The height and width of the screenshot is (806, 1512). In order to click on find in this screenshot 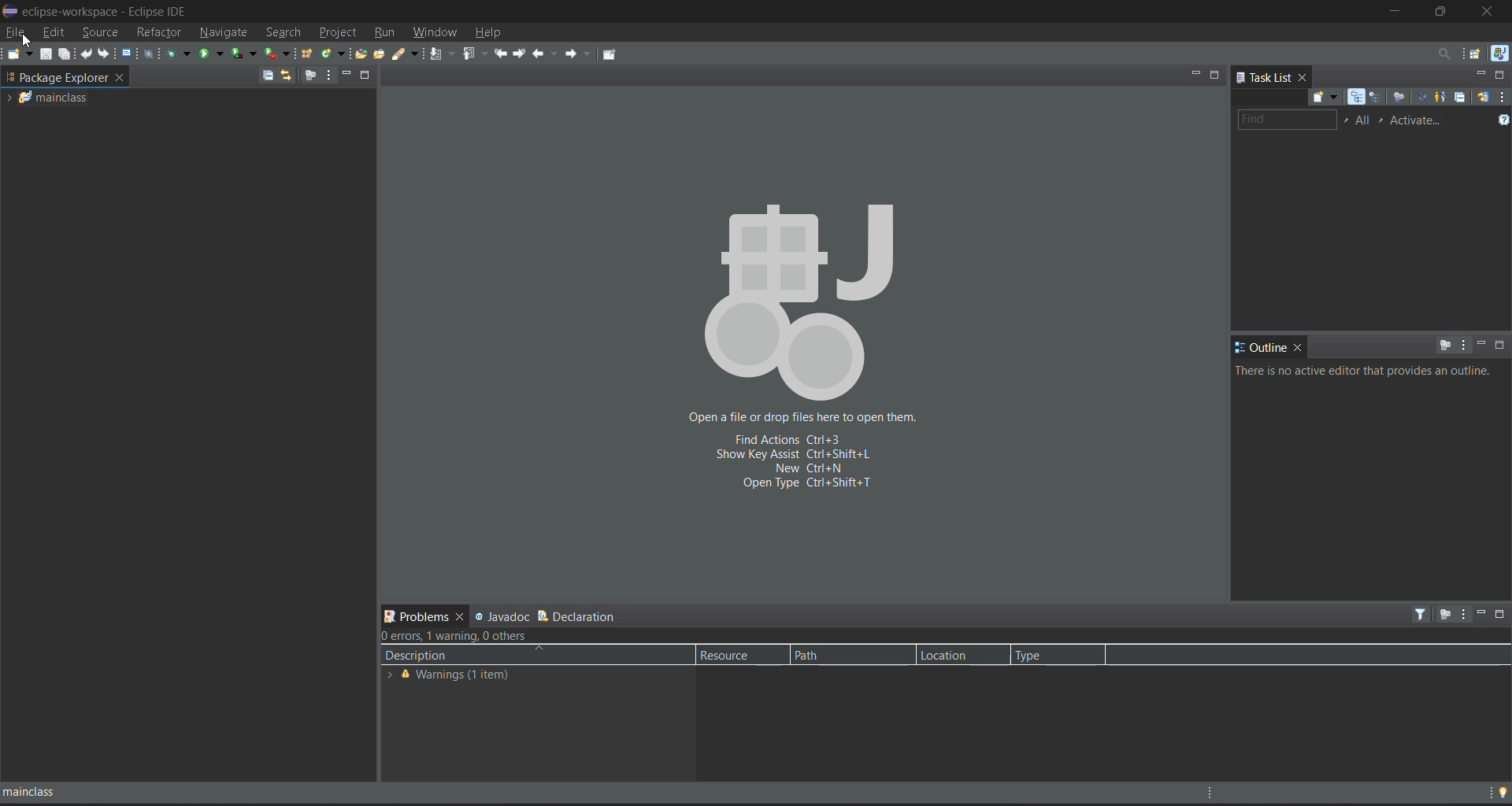, I will do `click(1287, 120)`.